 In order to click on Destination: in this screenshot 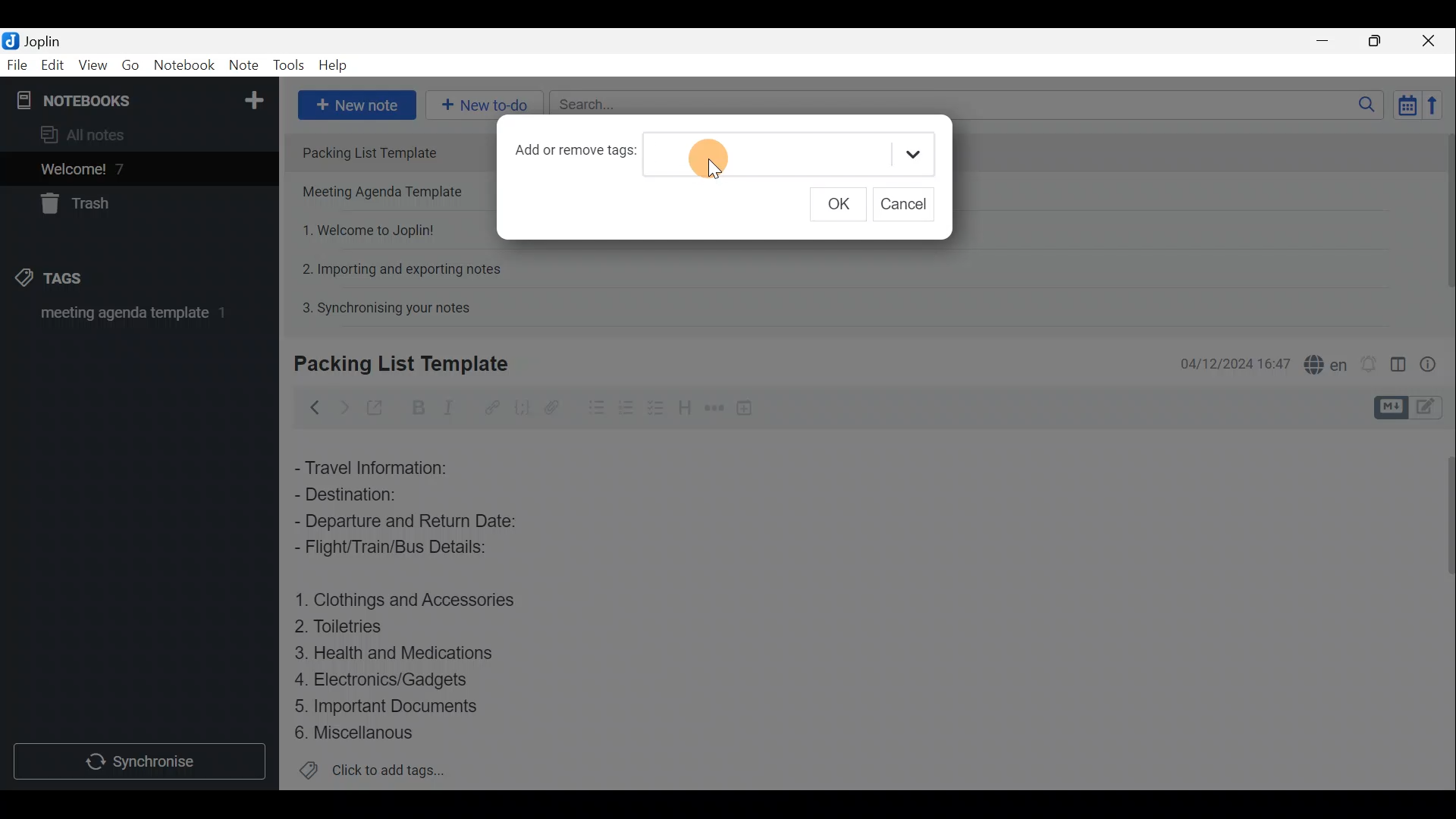, I will do `click(378, 494)`.